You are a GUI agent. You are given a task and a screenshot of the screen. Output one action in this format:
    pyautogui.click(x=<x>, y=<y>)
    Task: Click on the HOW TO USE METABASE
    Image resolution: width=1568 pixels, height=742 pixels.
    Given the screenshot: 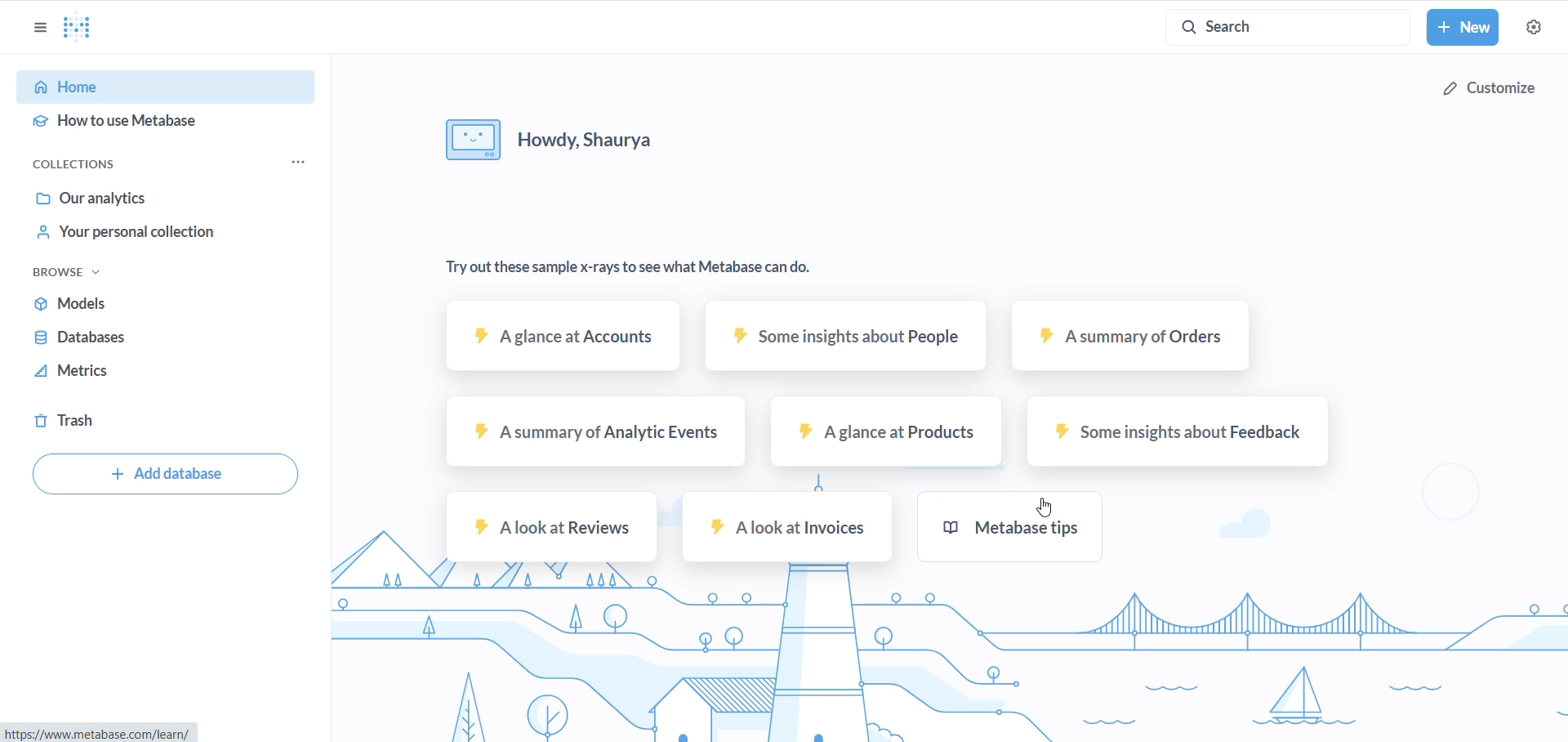 What is the action you would take?
    pyautogui.click(x=172, y=122)
    